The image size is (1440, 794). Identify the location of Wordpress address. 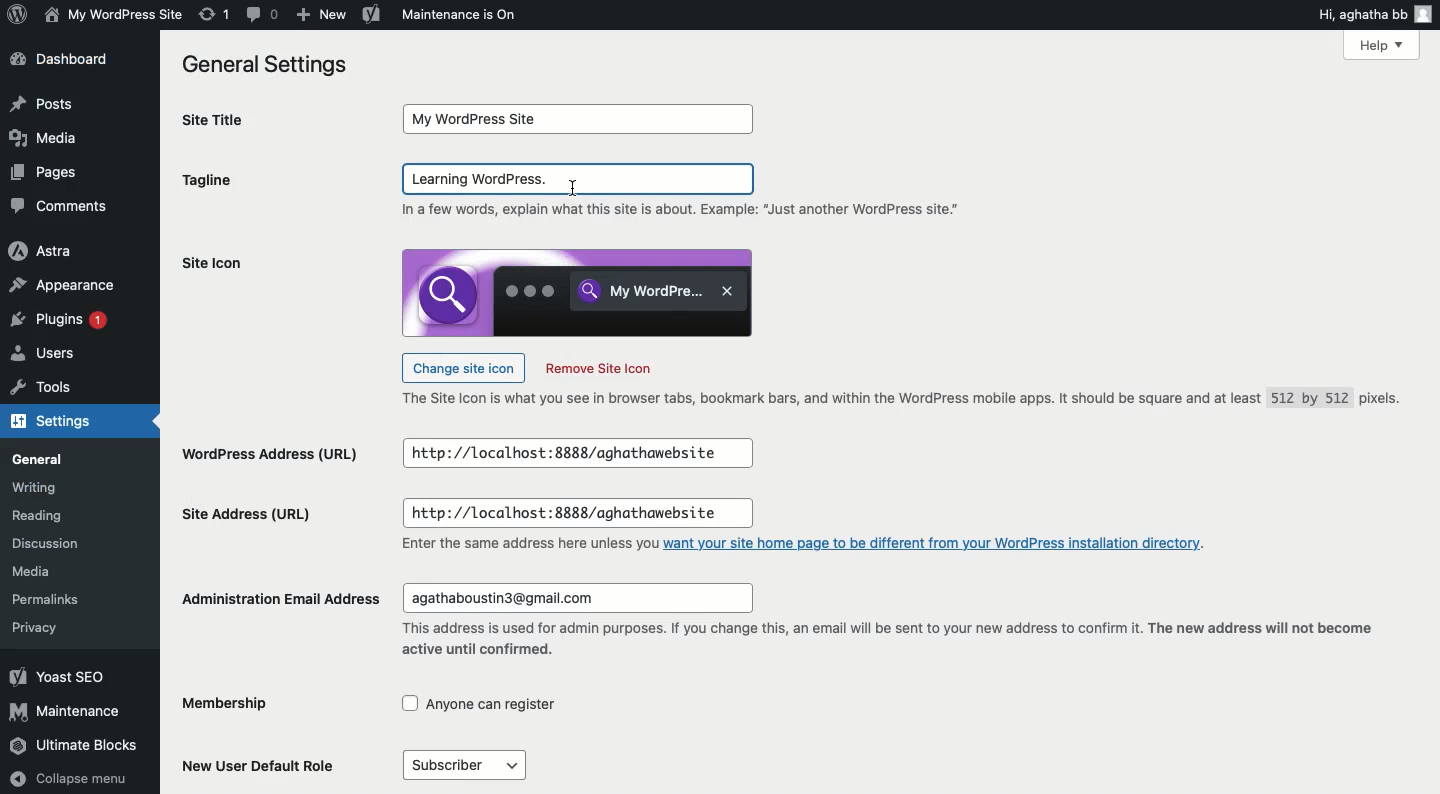
(268, 456).